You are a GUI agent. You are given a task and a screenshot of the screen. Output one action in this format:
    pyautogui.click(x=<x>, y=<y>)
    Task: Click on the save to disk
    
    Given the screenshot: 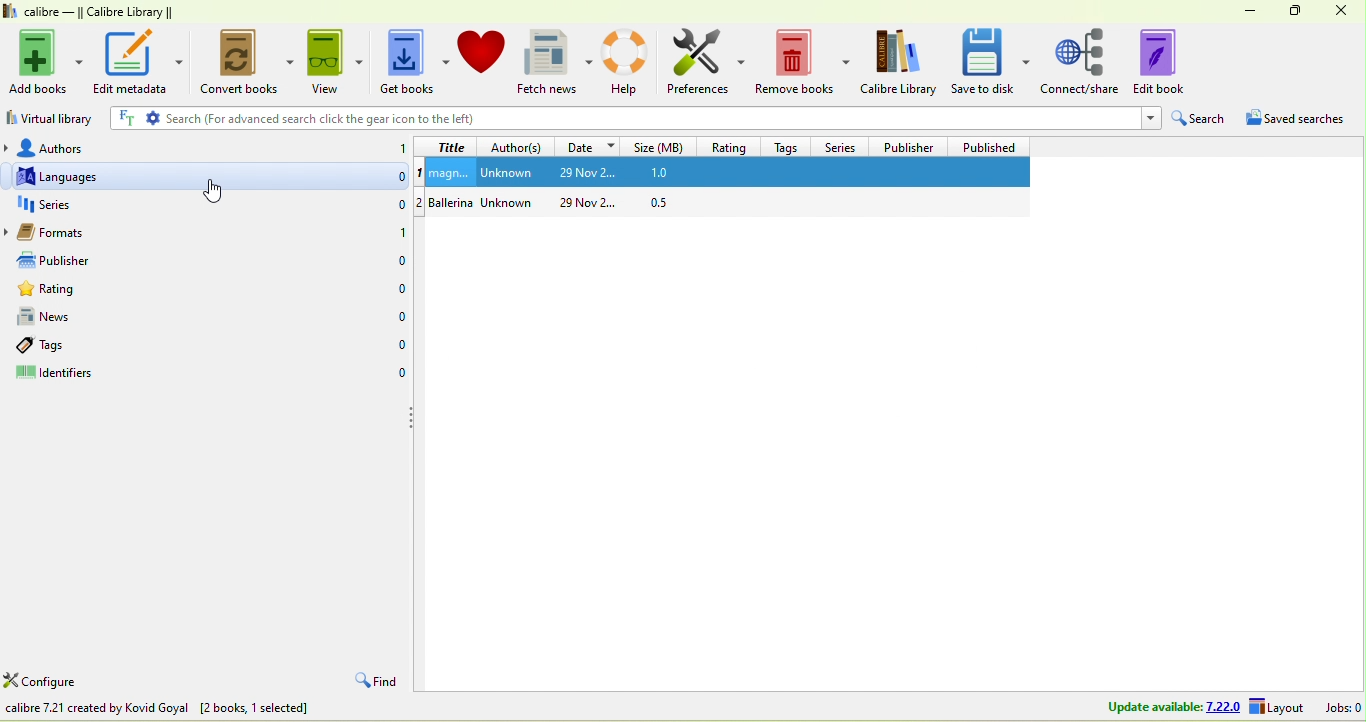 What is the action you would take?
    pyautogui.click(x=992, y=63)
    